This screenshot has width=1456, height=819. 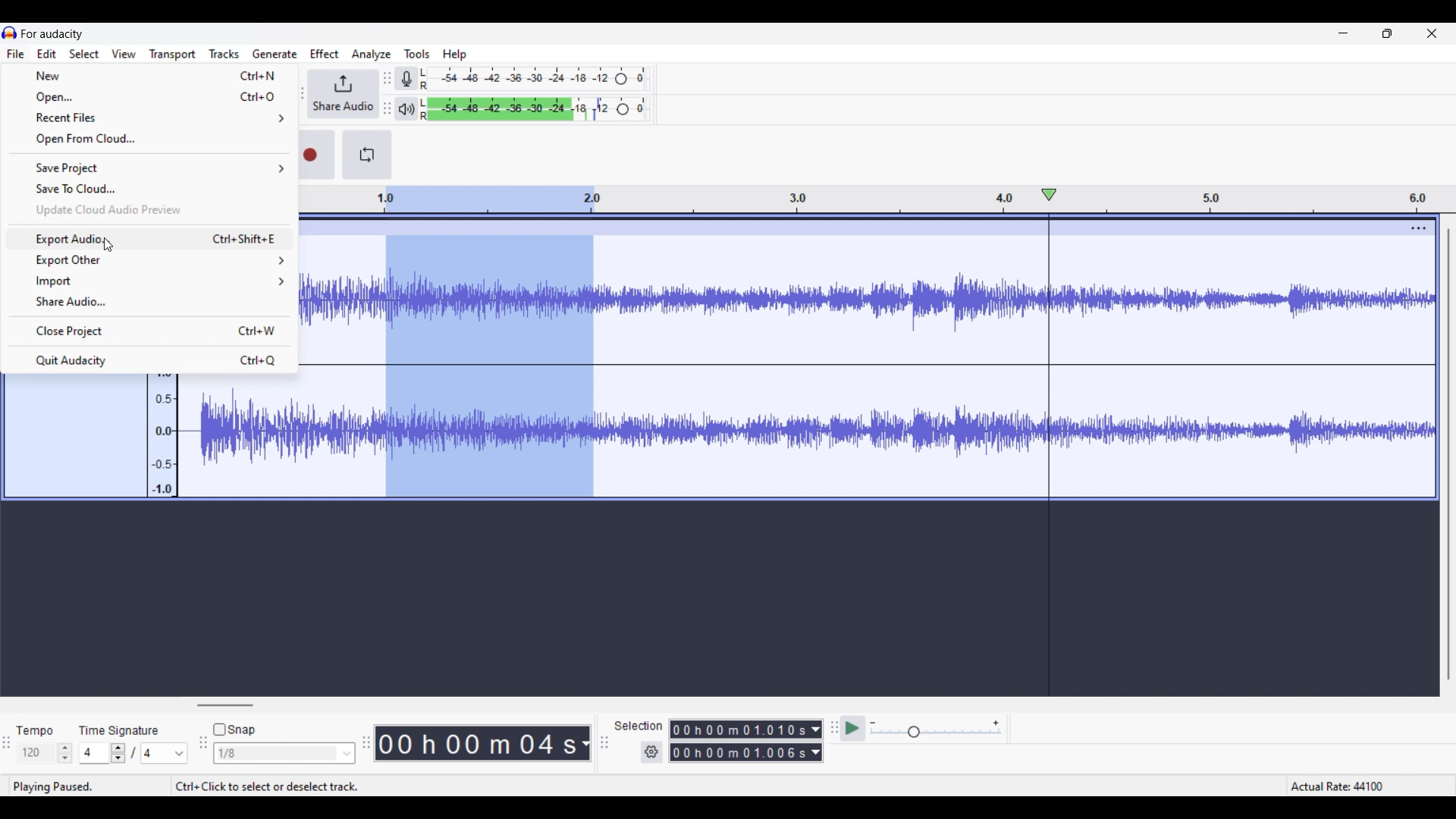 What do you see at coordinates (148, 118) in the screenshot?
I see `Recent files` at bounding box center [148, 118].